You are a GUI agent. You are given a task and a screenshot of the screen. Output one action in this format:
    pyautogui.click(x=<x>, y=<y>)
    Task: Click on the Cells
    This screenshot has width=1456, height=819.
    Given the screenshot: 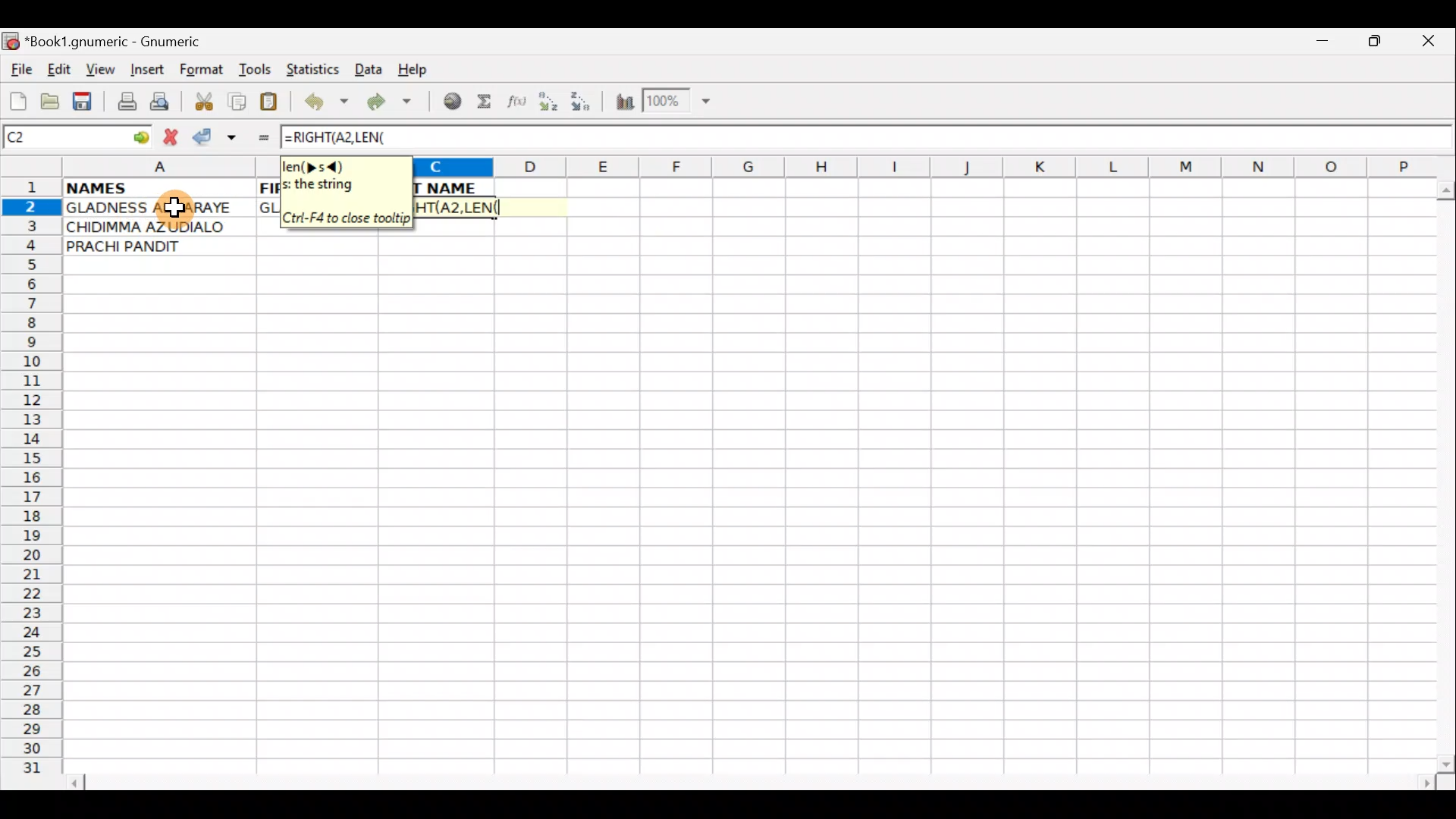 What is the action you would take?
    pyautogui.click(x=746, y=526)
    